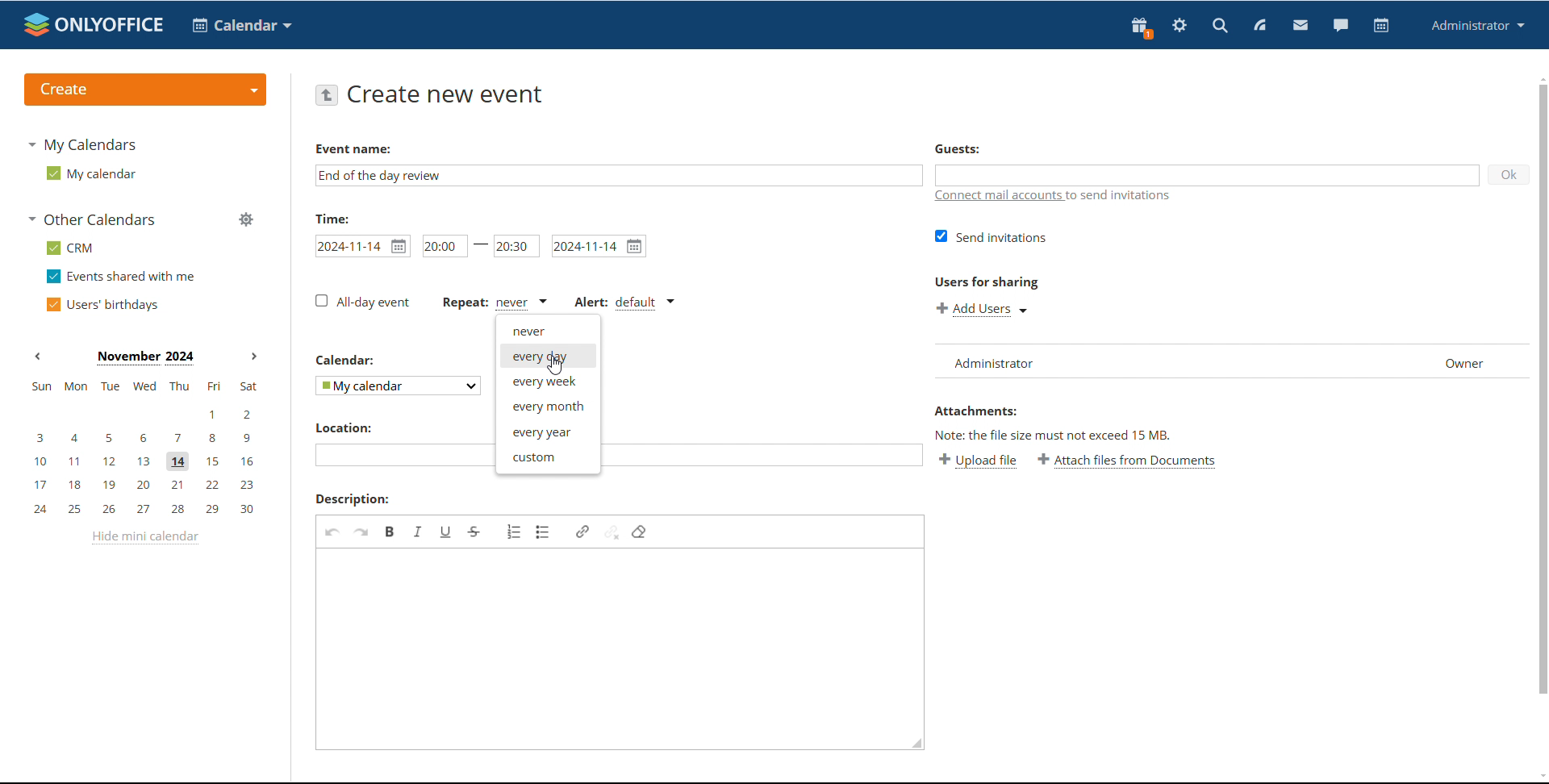 Image resolution: width=1549 pixels, height=784 pixels. What do you see at coordinates (145, 90) in the screenshot?
I see `create` at bounding box center [145, 90].